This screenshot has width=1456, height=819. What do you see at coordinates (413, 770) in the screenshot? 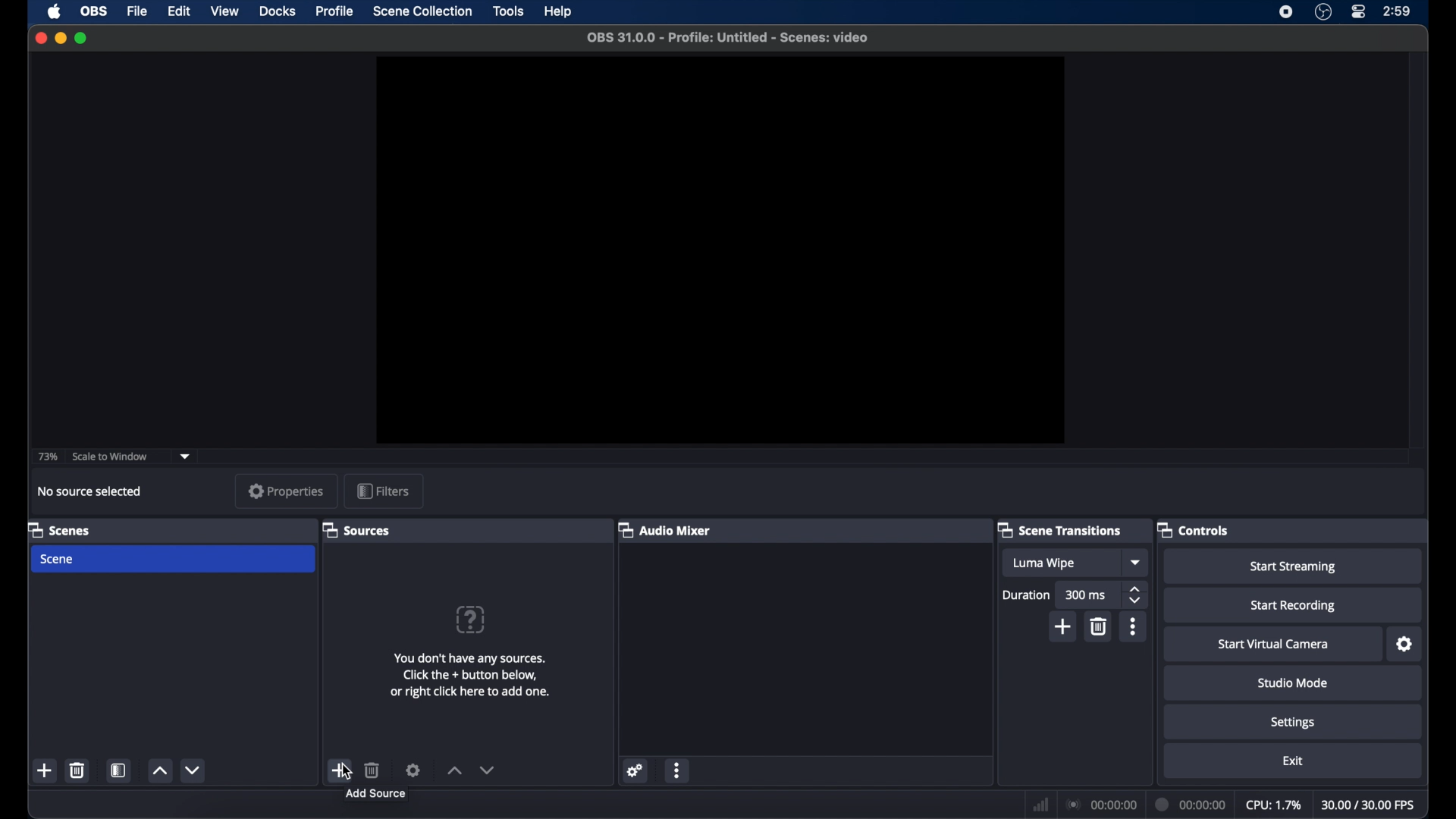
I see `settings` at bounding box center [413, 770].